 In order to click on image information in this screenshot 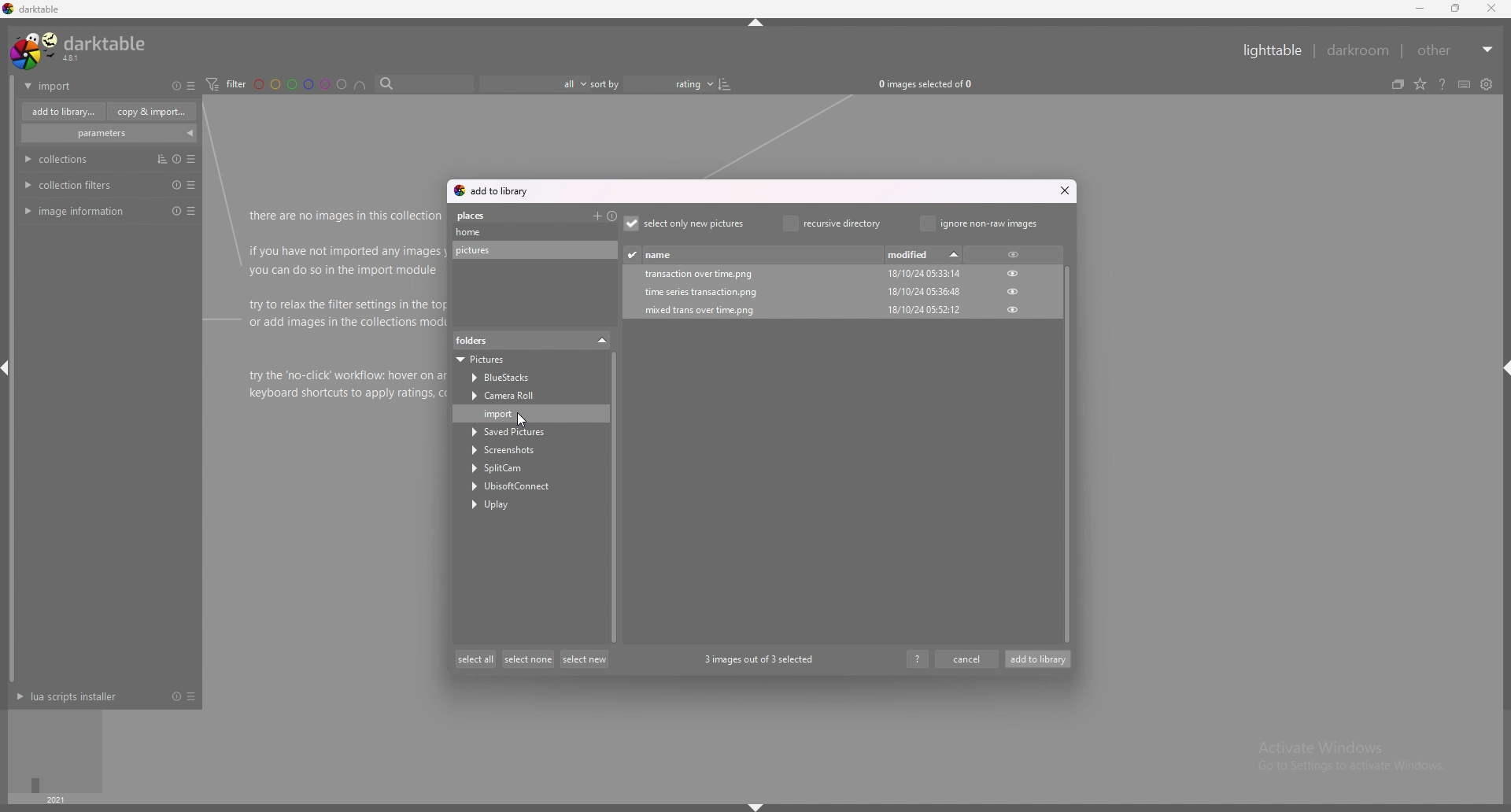, I will do `click(78, 212)`.